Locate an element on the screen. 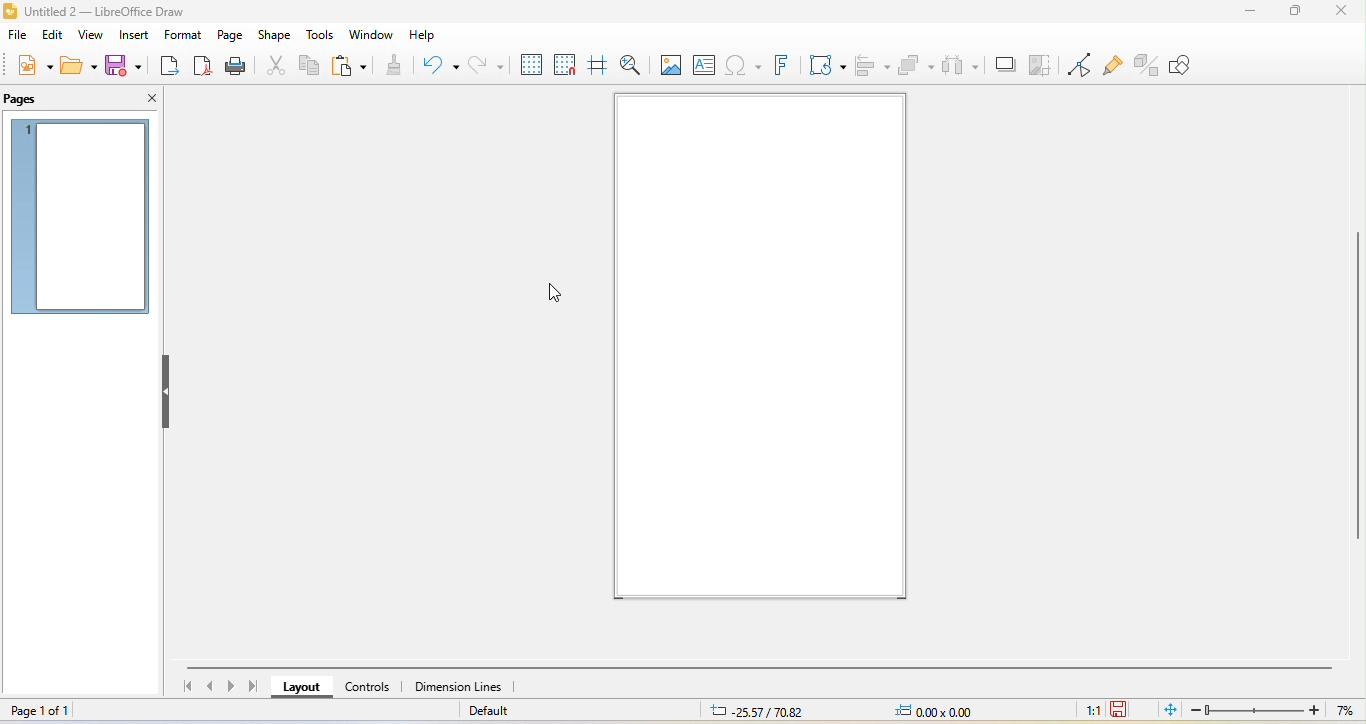 This screenshot has width=1366, height=724. zoom and pan is located at coordinates (628, 65).